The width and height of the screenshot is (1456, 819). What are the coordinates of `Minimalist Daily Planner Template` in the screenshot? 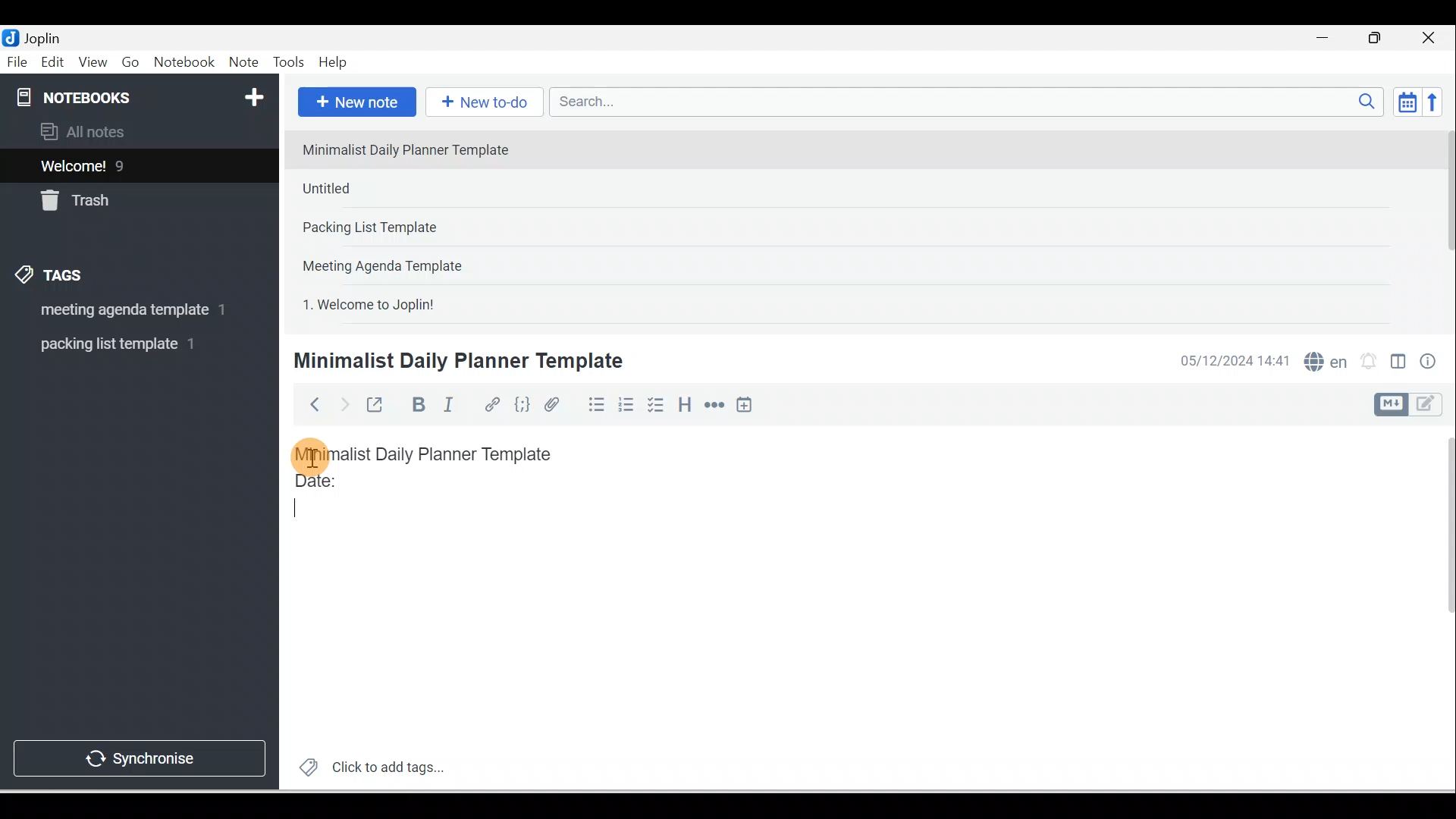 It's located at (438, 454).